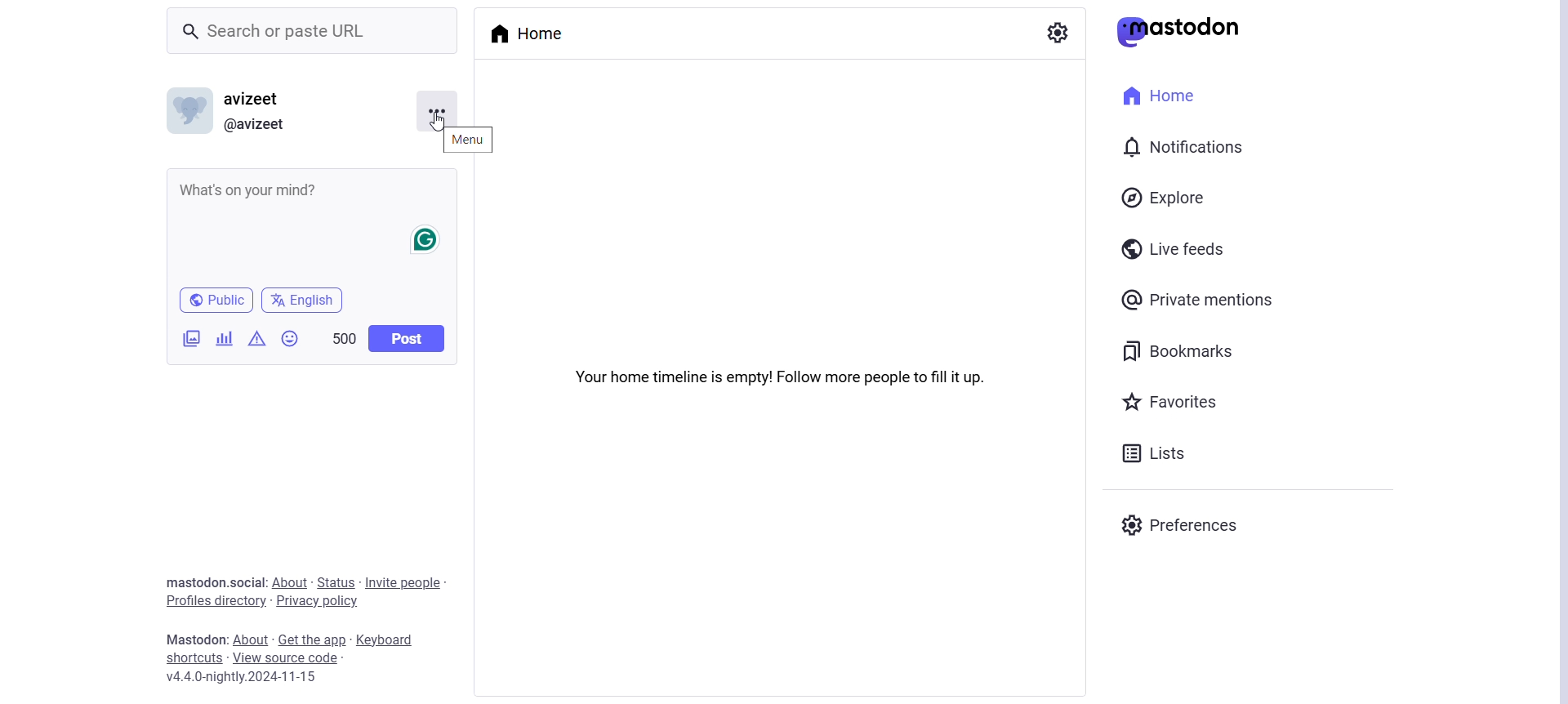  Describe the element at coordinates (1202, 300) in the screenshot. I see `Private Mentions` at that location.